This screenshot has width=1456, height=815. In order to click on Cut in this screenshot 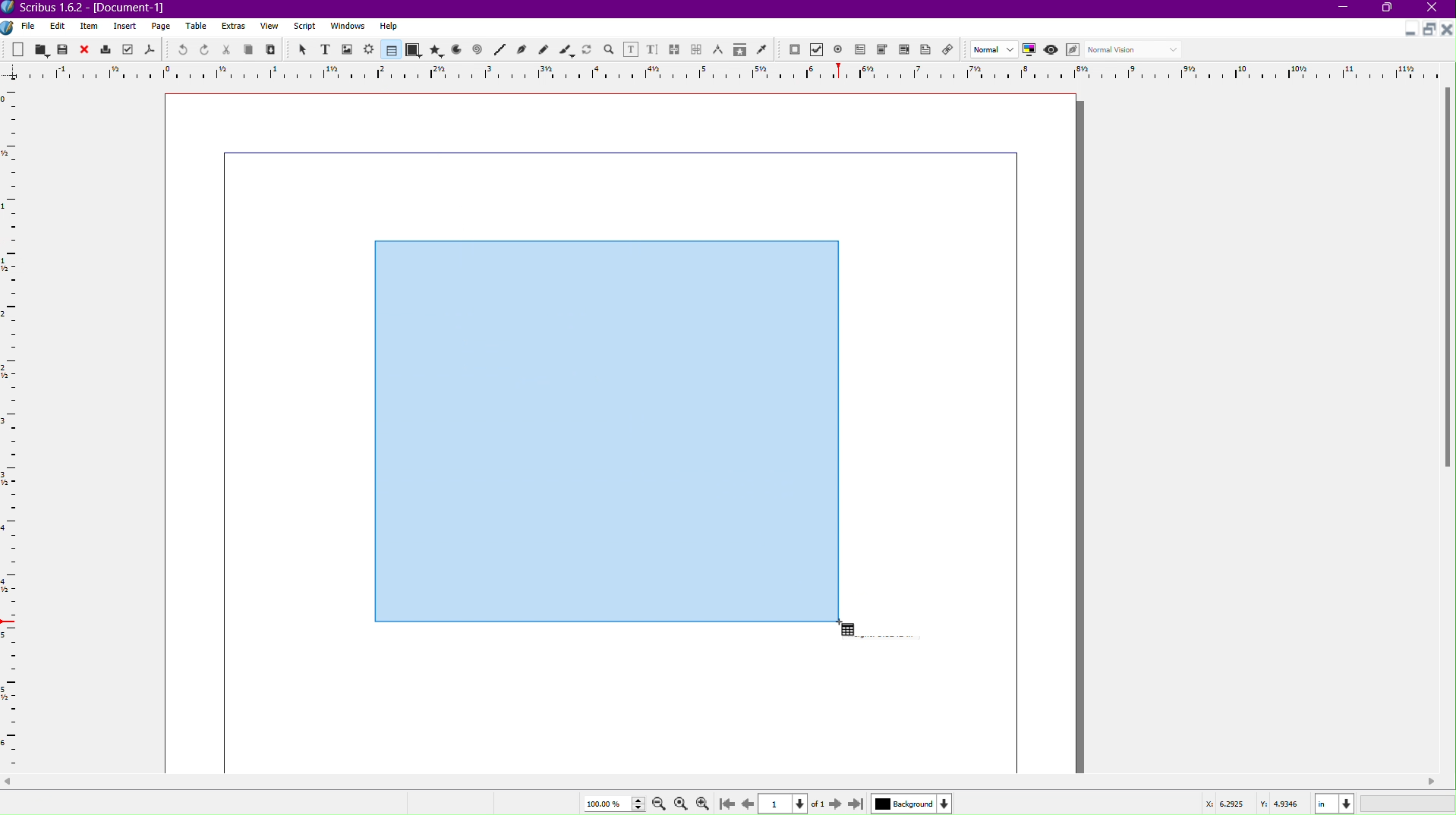, I will do `click(227, 49)`.